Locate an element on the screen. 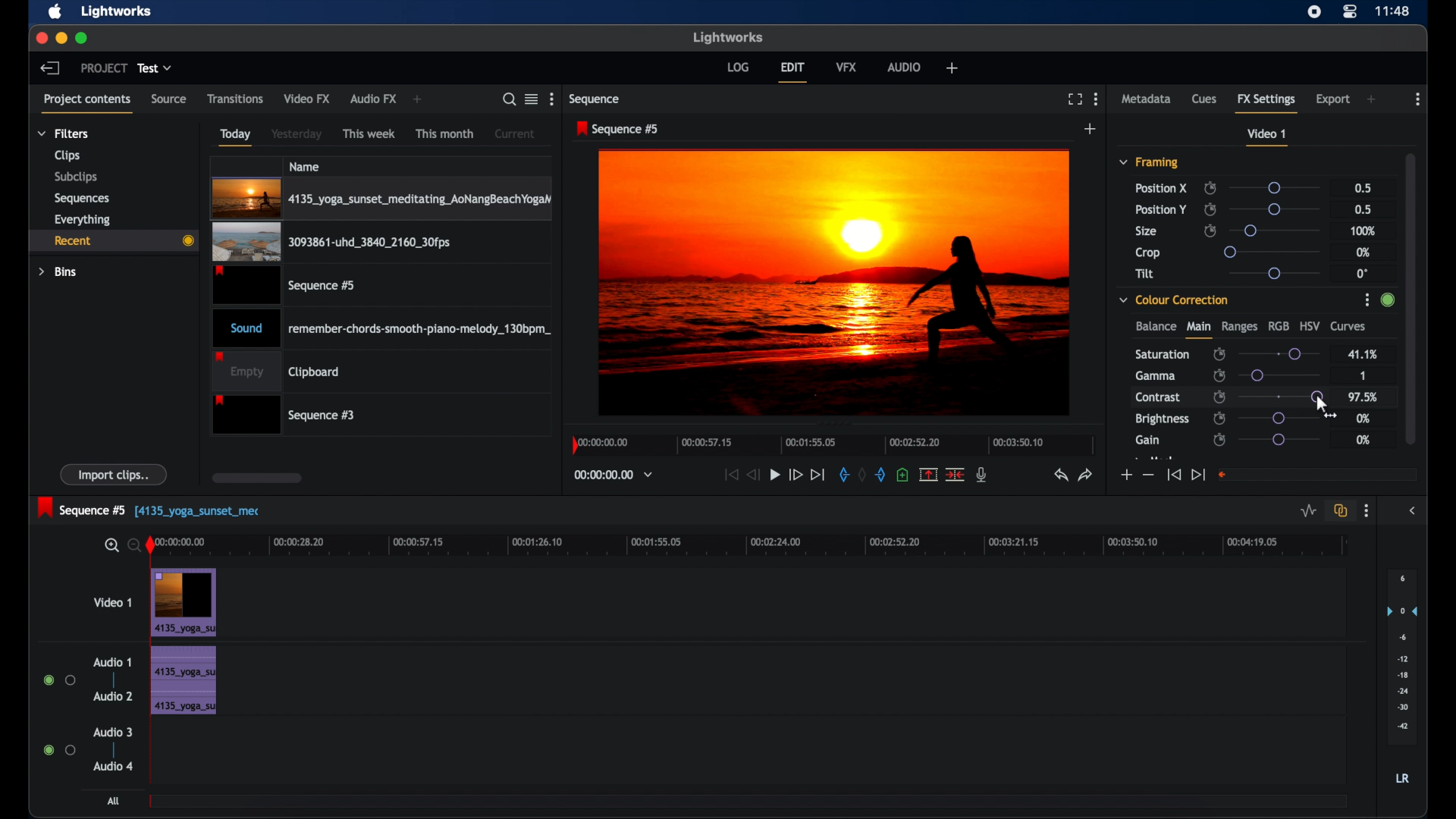  lightworks is located at coordinates (728, 37).